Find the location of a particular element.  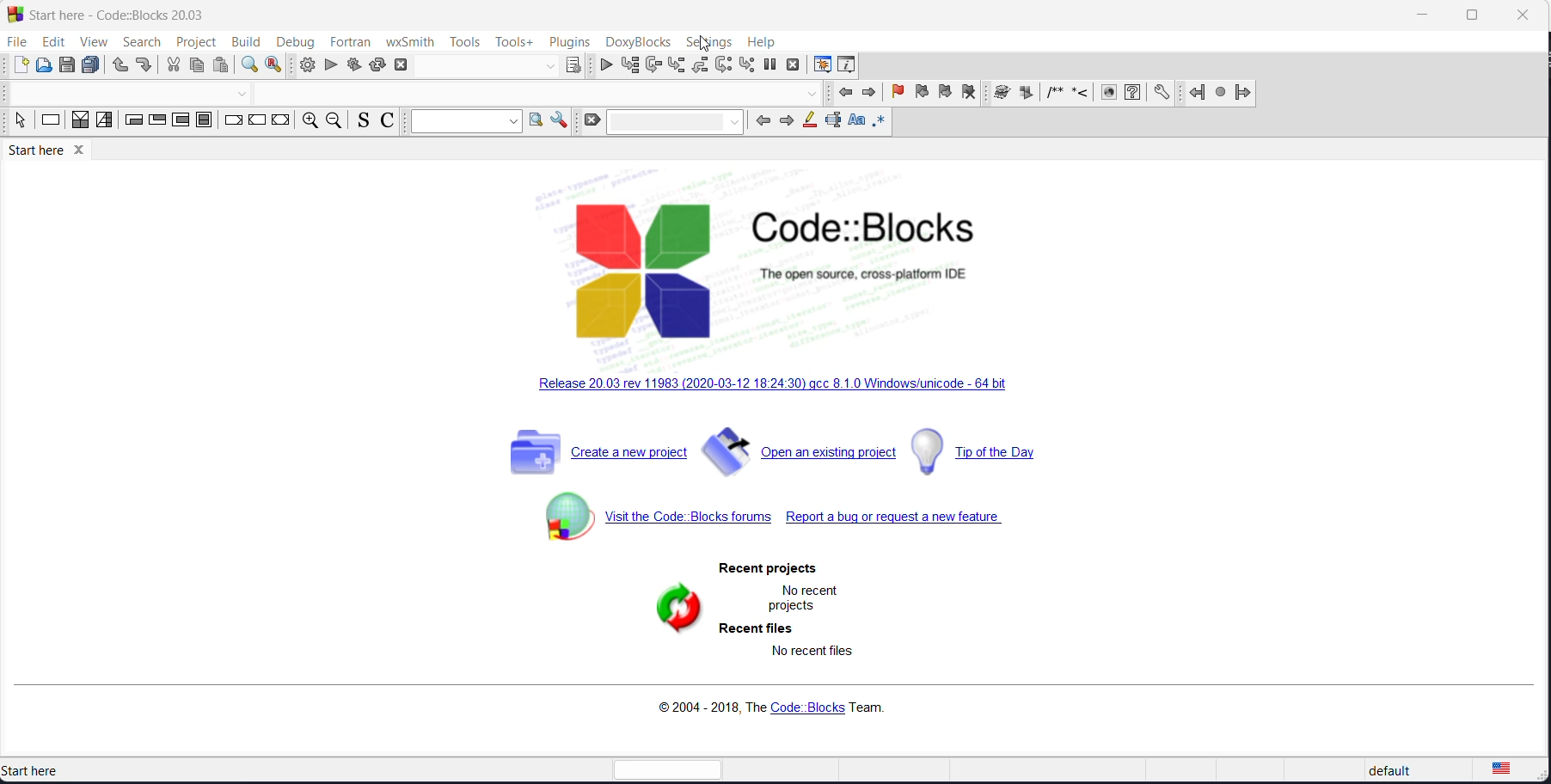

find is located at coordinates (248, 65).